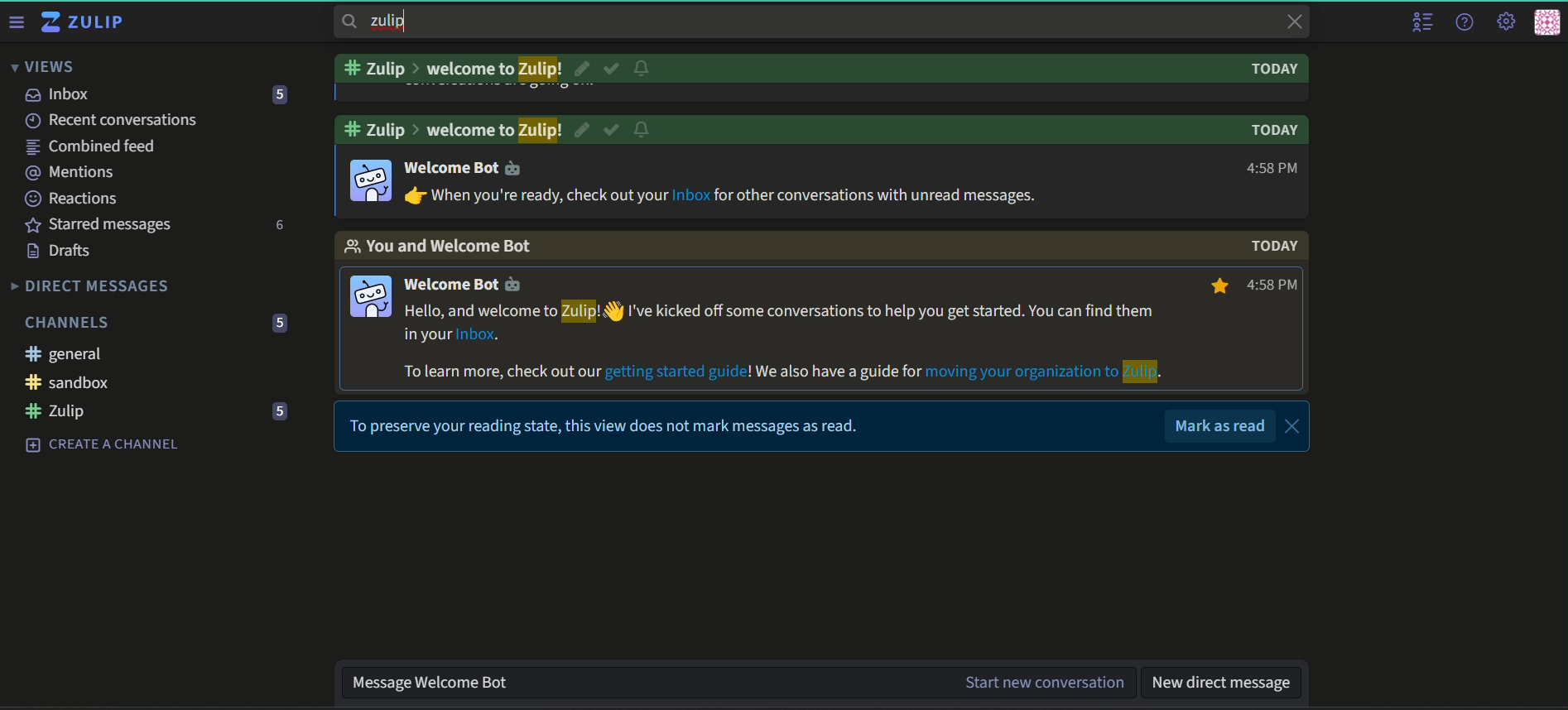 This screenshot has width=1568, height=710. Describe the element at coordinates (613, 69) in the screenshot. I see `resolved` at that location.